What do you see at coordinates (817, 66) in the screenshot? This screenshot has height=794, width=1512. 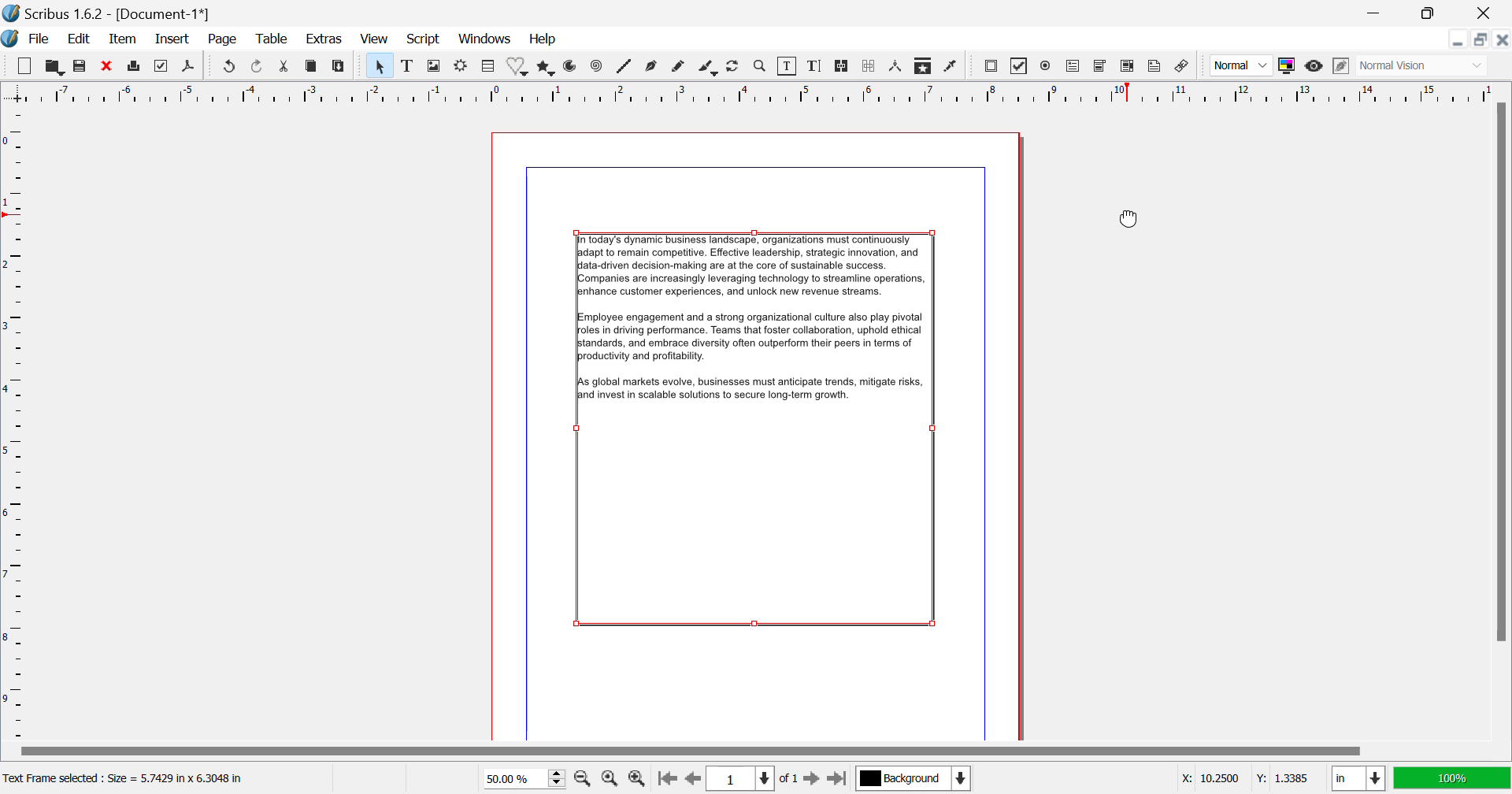 I see `Edit Text with Story Editor` at bounding box center [817, 66].